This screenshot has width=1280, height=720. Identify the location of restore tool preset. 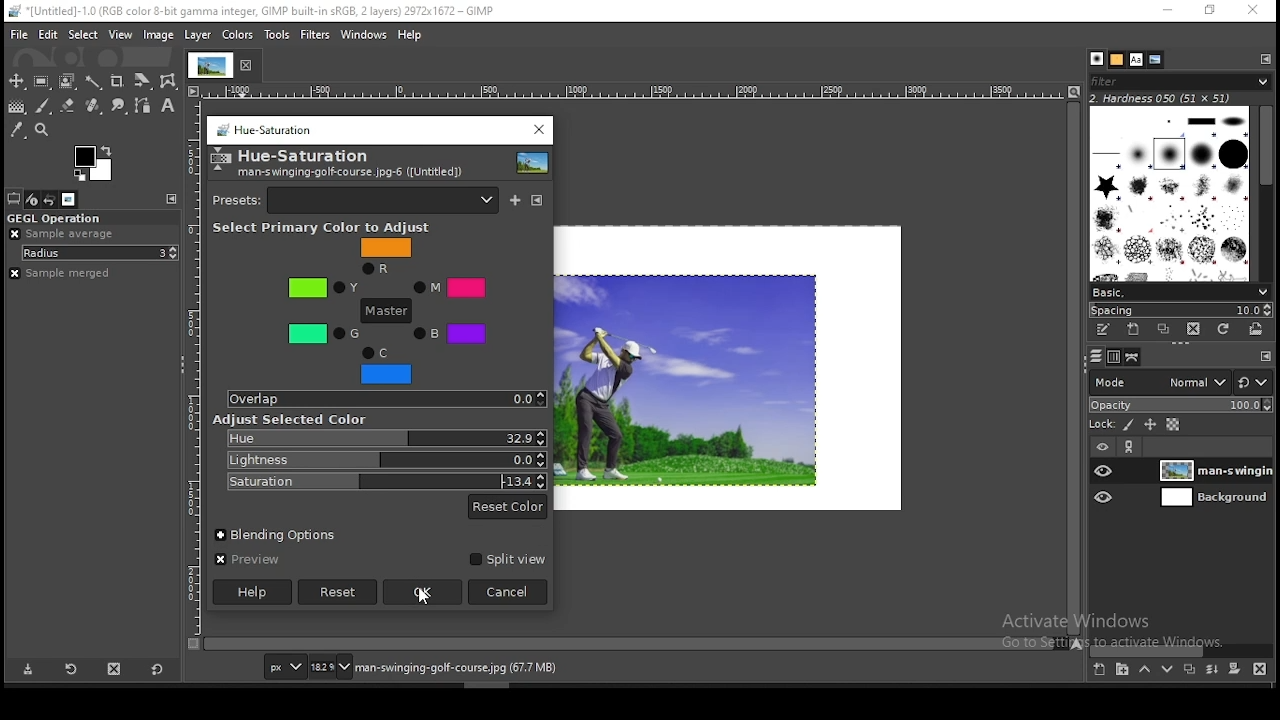
(72, 670).